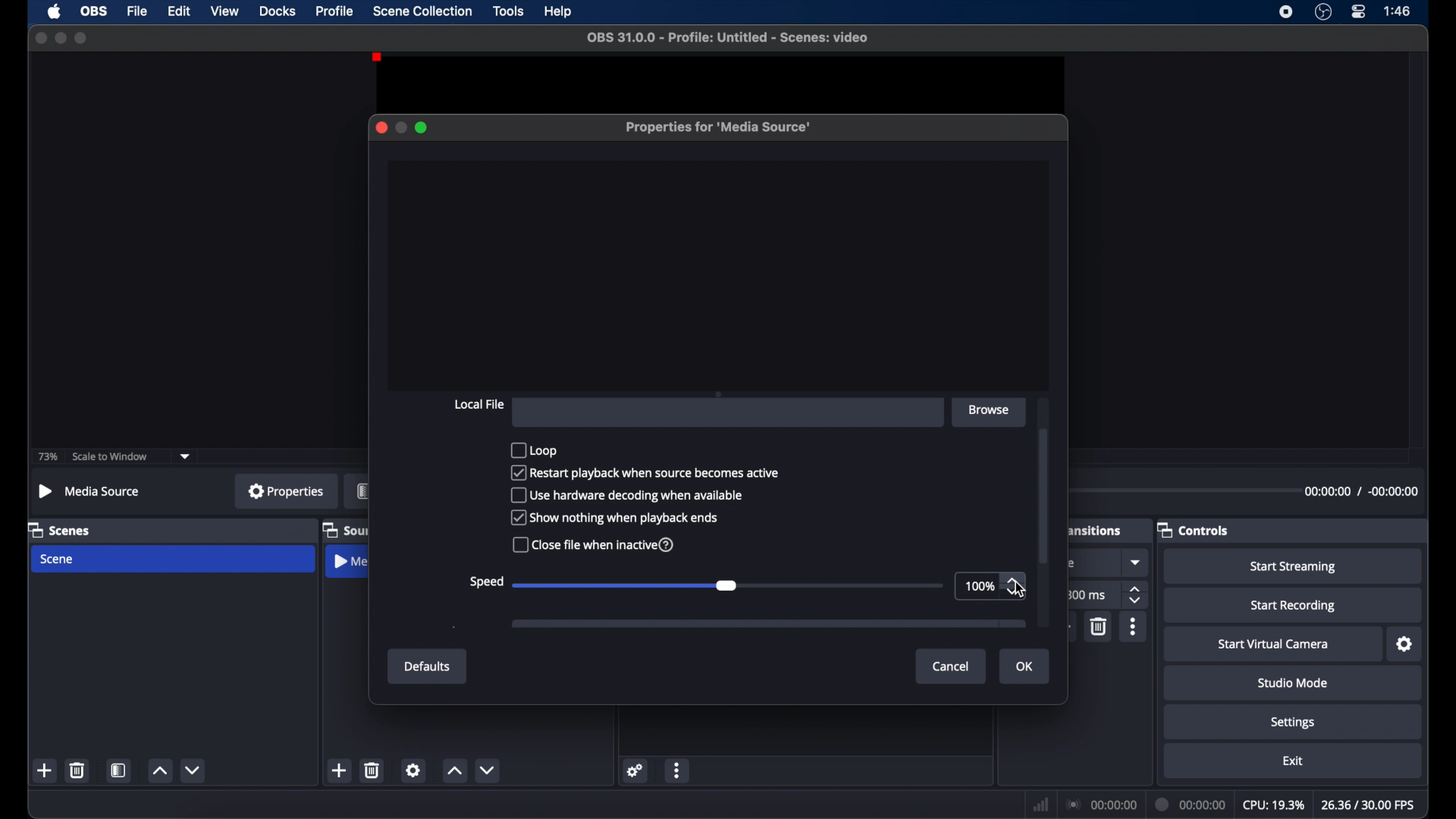 The width and height of the screenshot is (1456, 819). What do you see at coordinates (1192, 531) in the screenshot?
I see `controls` at bounding box center [1192, 531].